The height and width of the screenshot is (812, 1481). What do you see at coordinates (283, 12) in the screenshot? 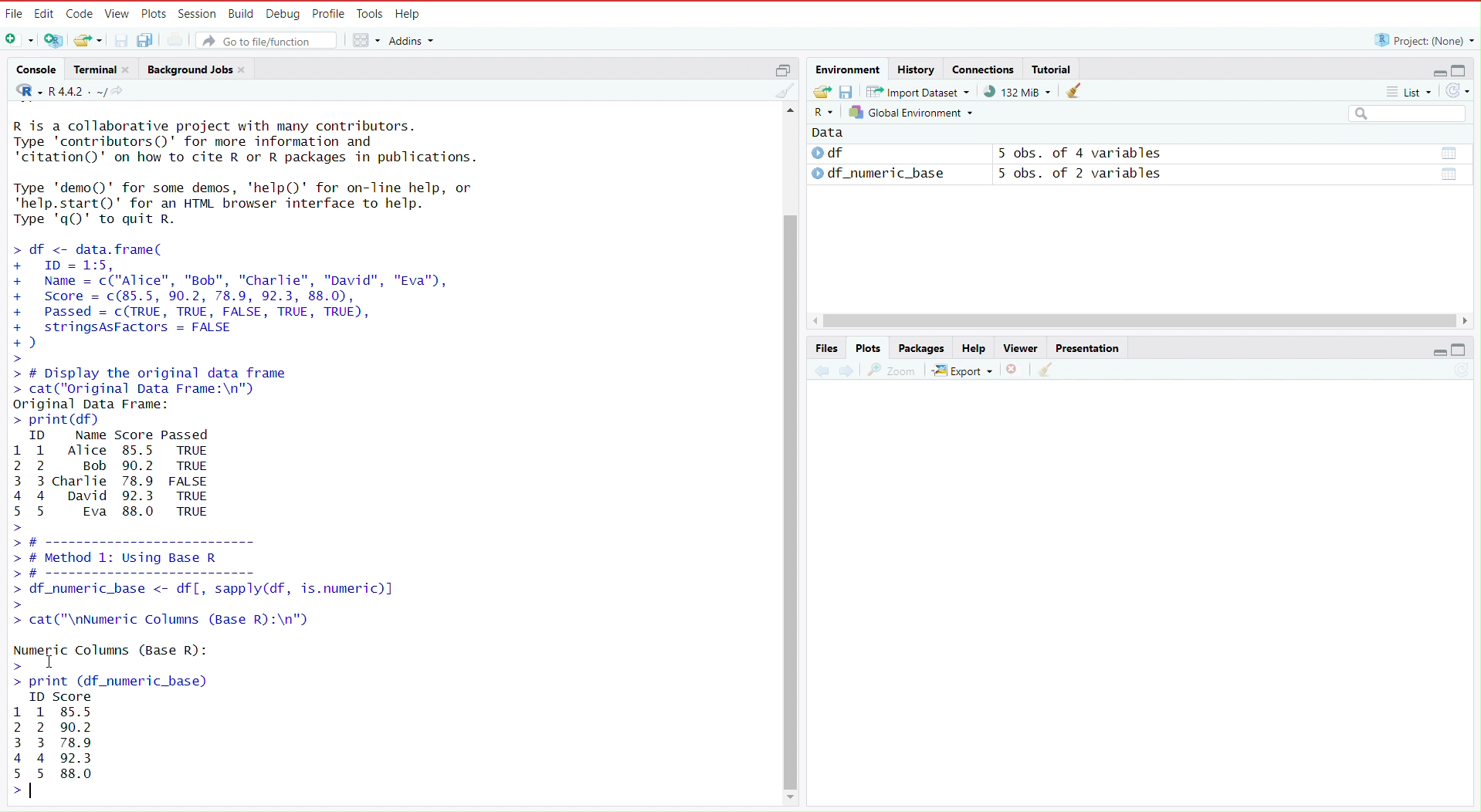
I see `Debug` at bounding box center [283, 12].